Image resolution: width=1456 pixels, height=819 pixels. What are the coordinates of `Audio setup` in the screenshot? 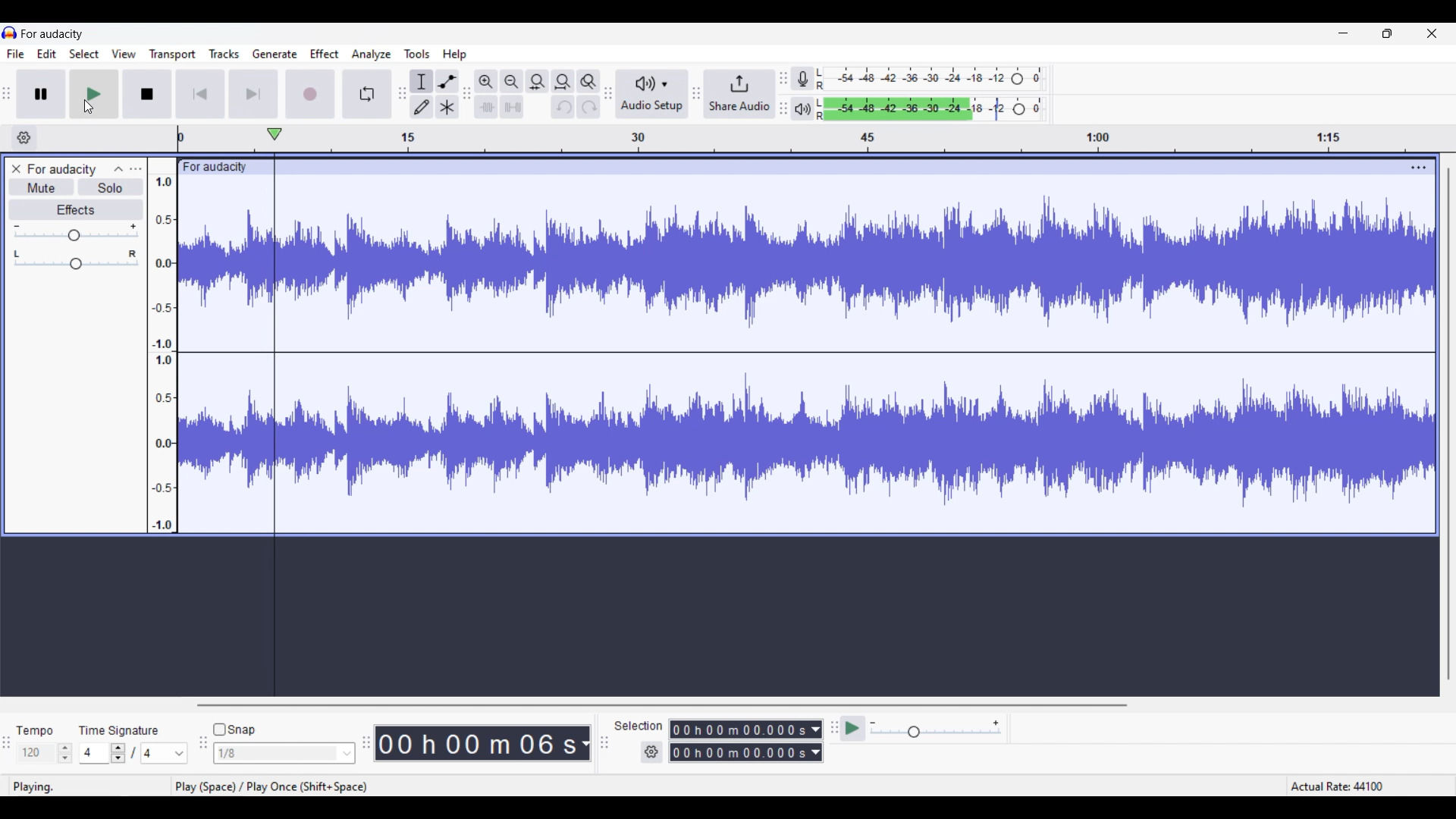 It's located at (653, 93).